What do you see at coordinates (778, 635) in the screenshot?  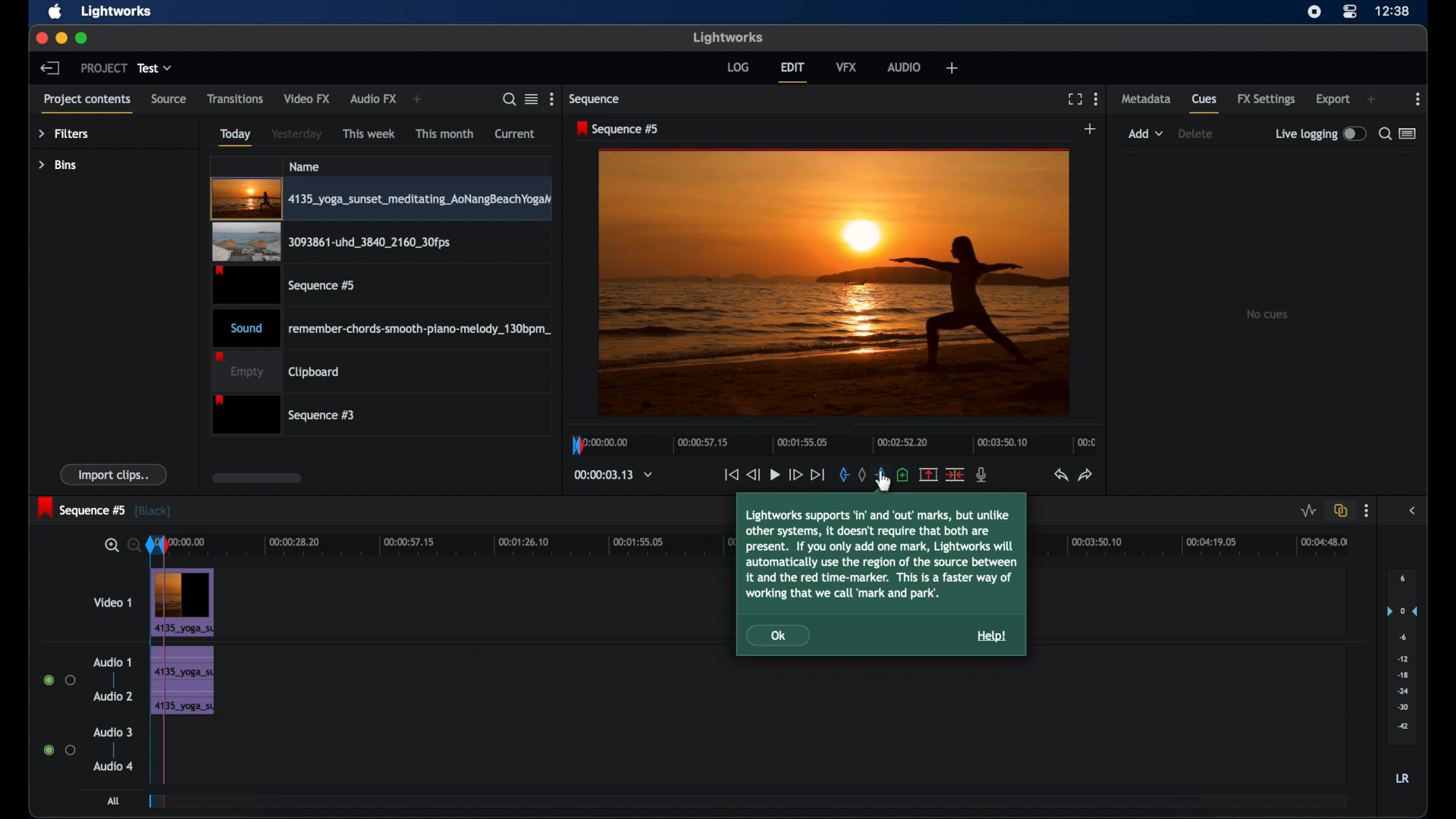 I see `Ok` at bounding box center [778, 635].